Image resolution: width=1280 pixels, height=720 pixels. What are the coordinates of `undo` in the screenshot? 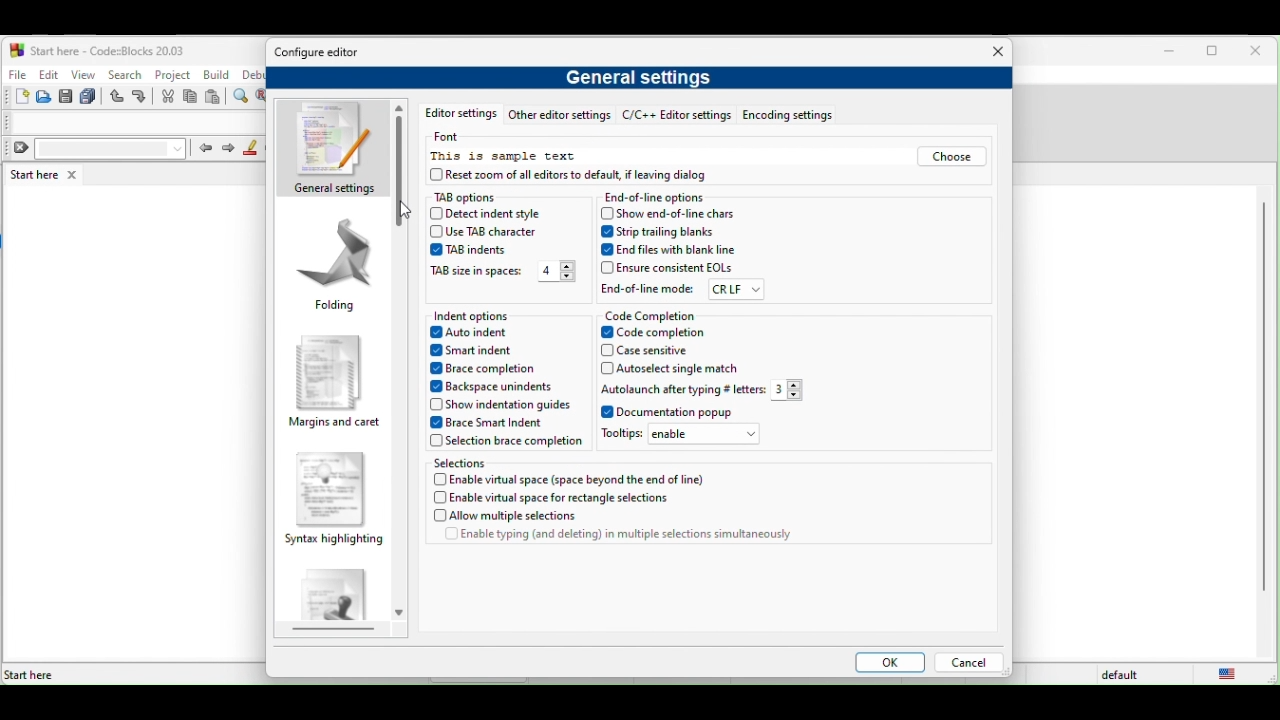 It's located at (118, 97).